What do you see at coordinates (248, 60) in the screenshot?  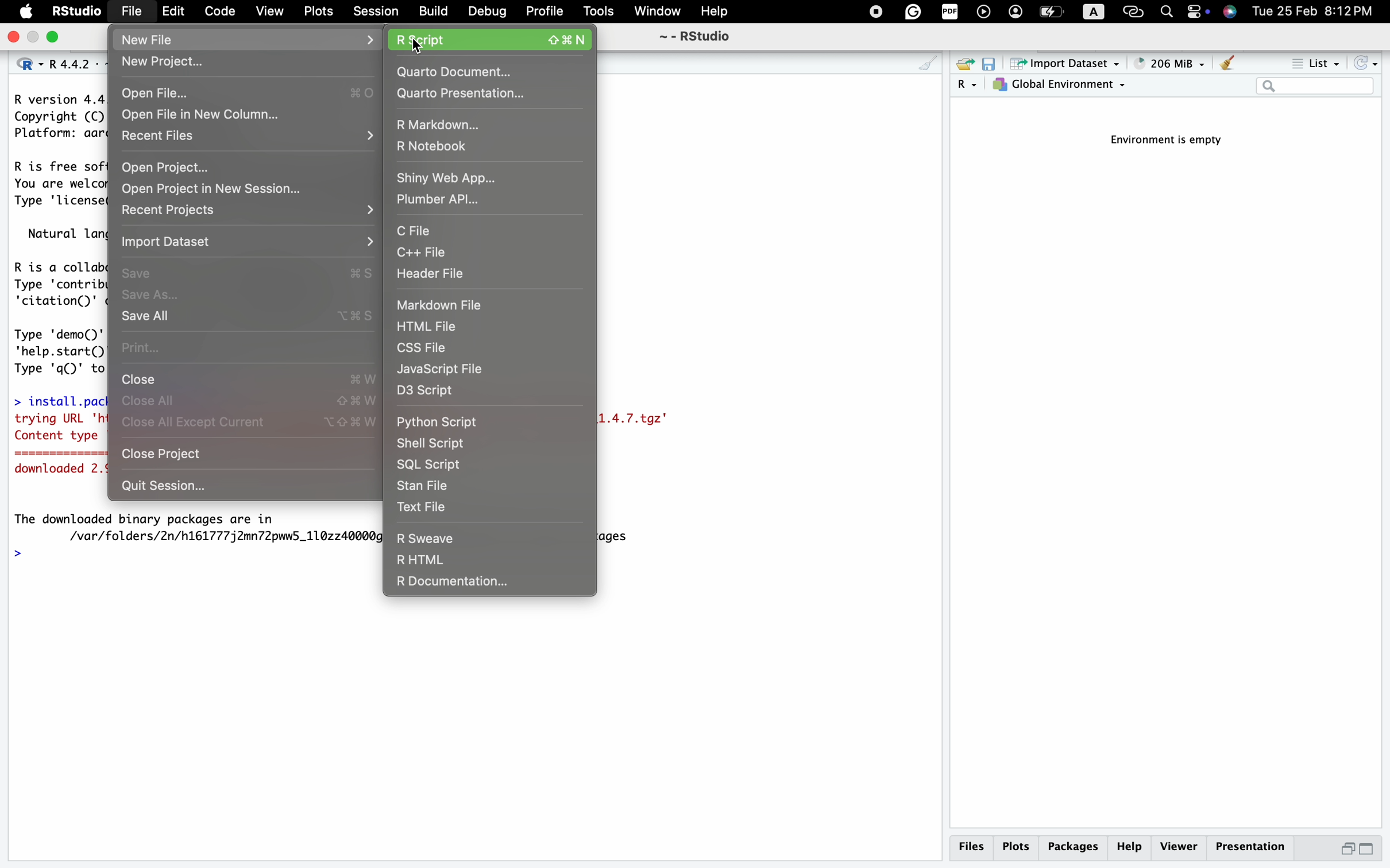 I see `New project` at bounding box center [248, 60].